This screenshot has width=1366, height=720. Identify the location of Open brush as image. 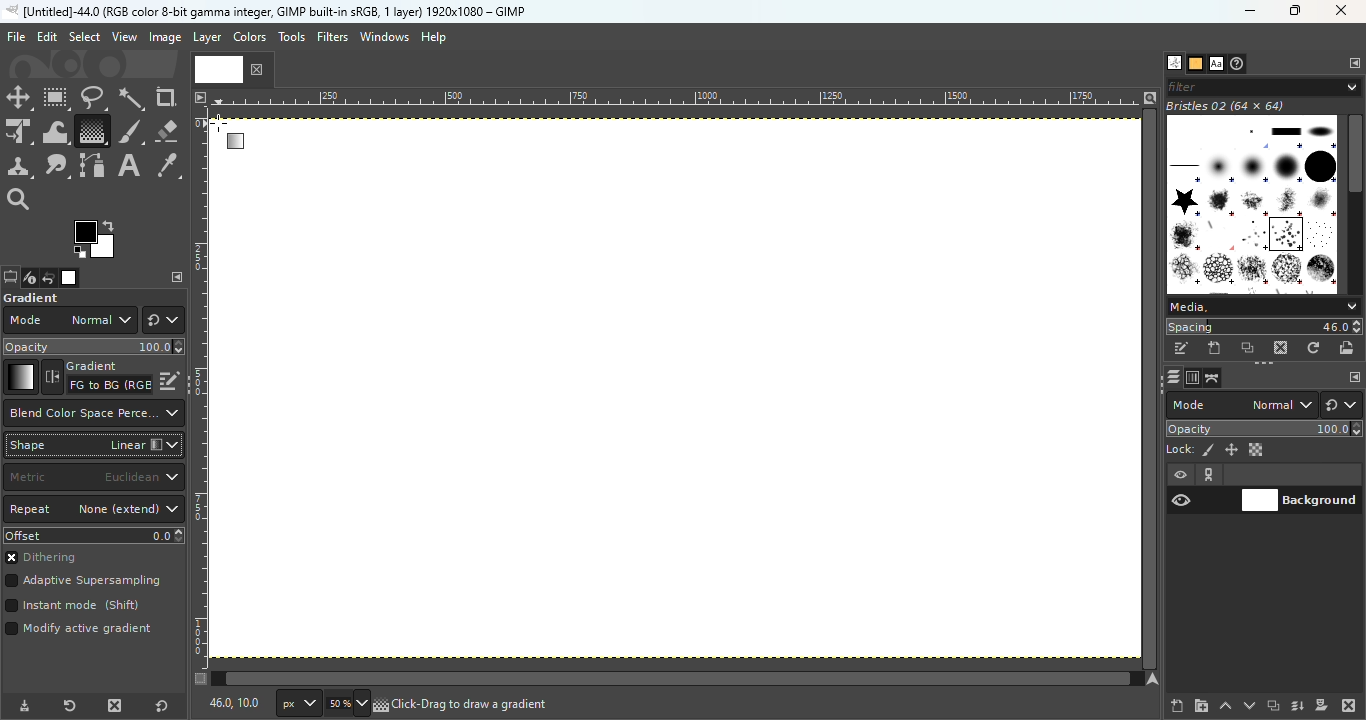
(1348, 347).